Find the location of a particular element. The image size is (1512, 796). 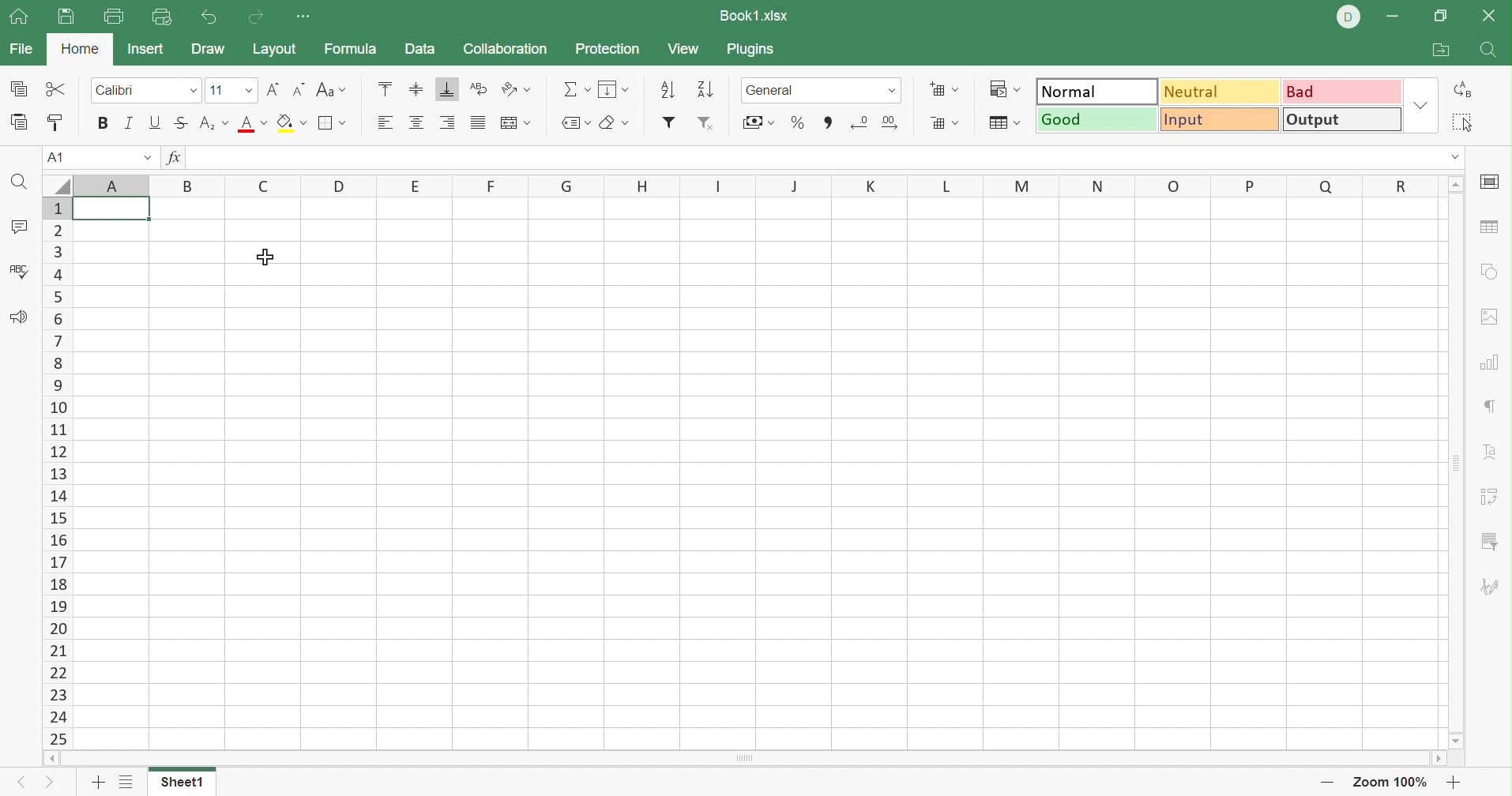

Align center is located at coordinates (415, 121).